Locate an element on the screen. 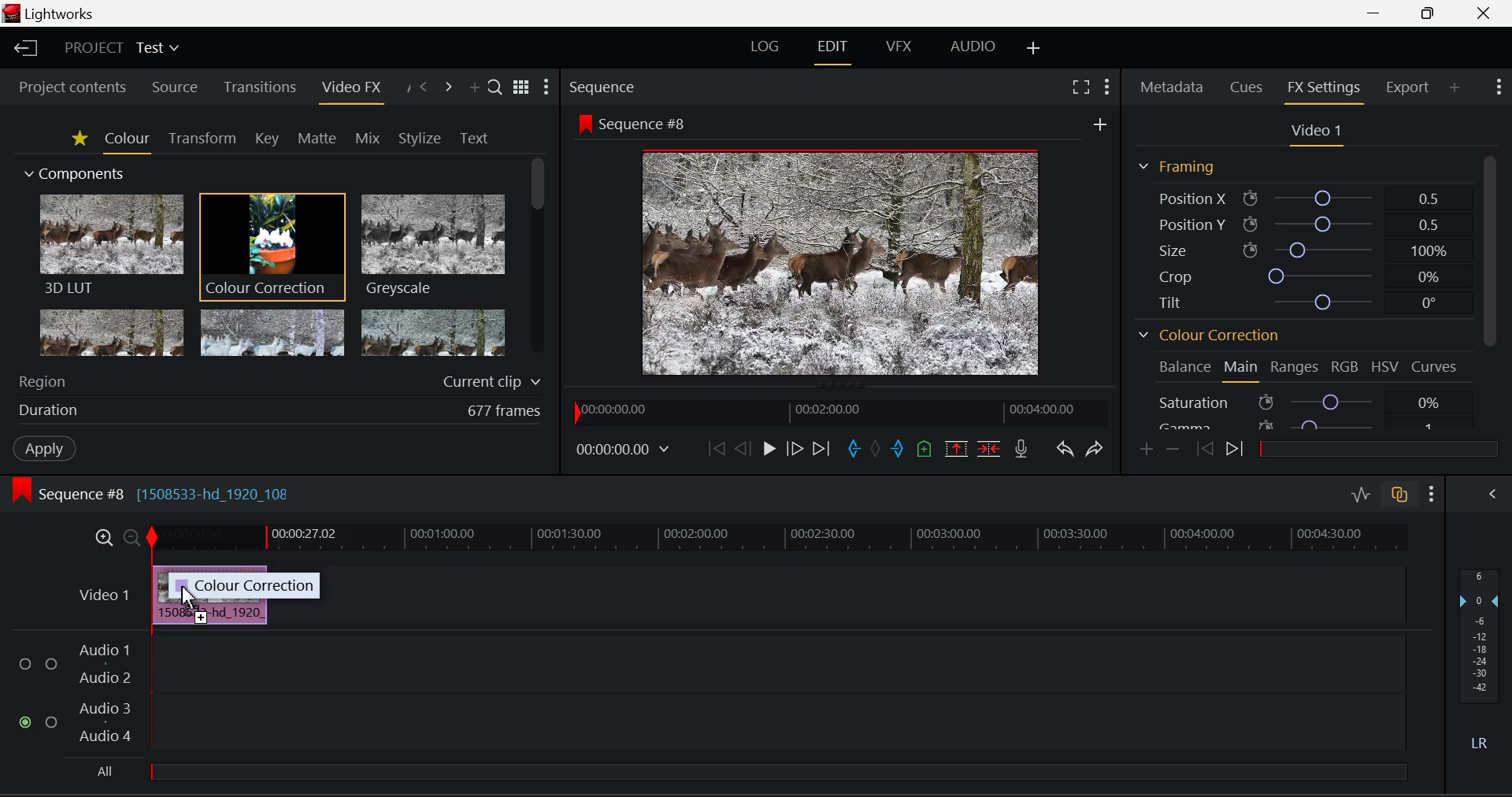  Project Timeline Navigator is located at coordinates (841, 410).